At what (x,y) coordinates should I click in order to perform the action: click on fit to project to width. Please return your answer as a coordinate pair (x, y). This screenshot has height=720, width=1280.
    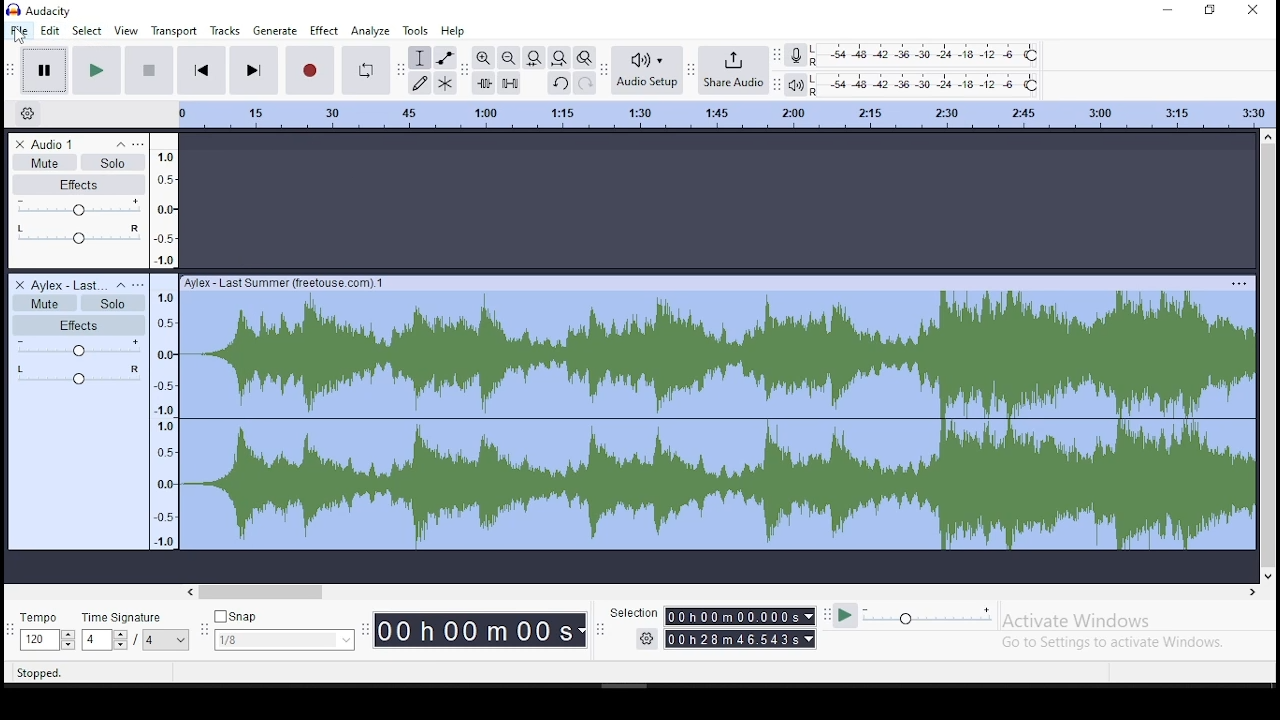
    Looking at the image, I should click on (559, 59).